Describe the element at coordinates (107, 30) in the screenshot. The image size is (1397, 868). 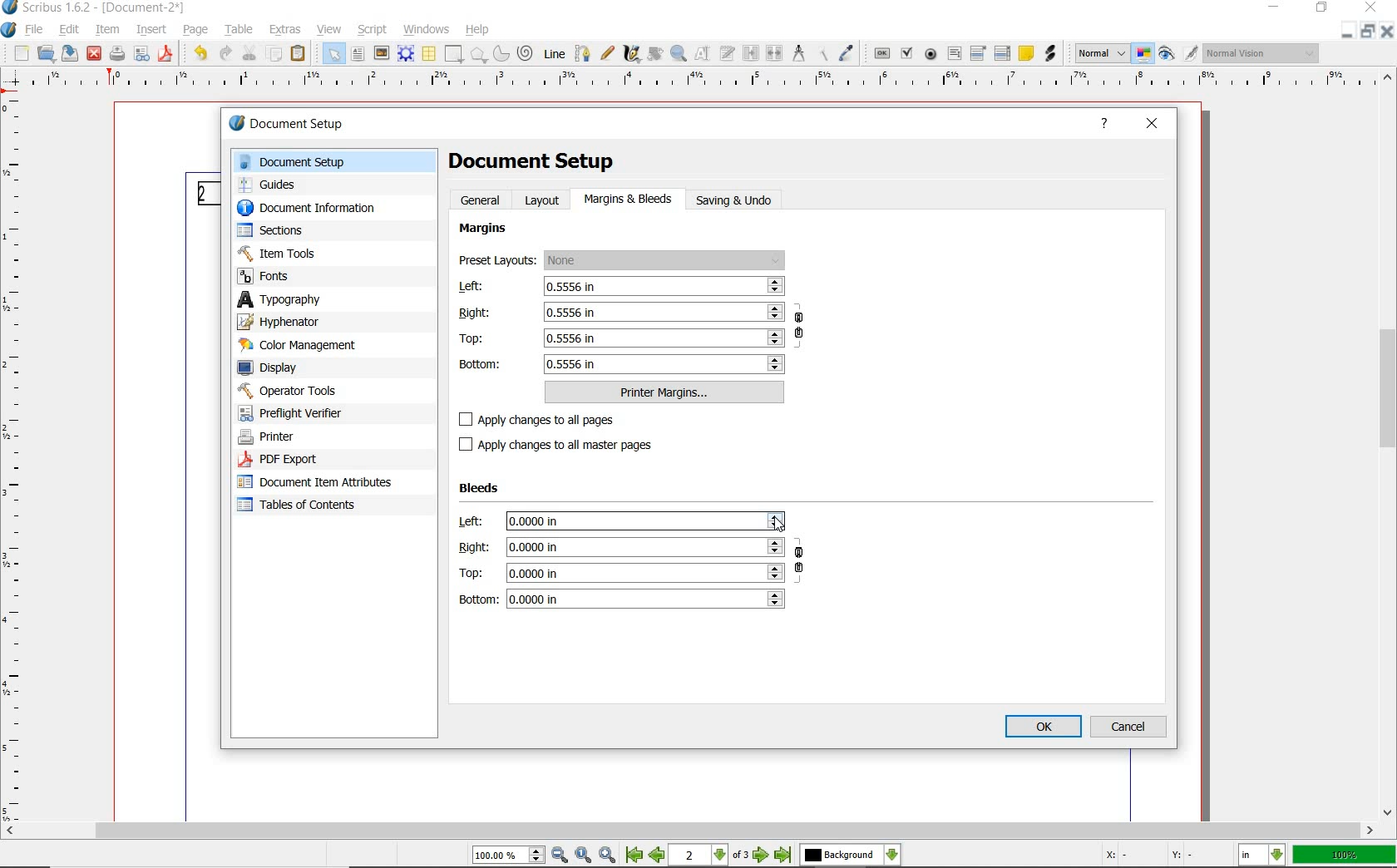
I see `item` at that location.